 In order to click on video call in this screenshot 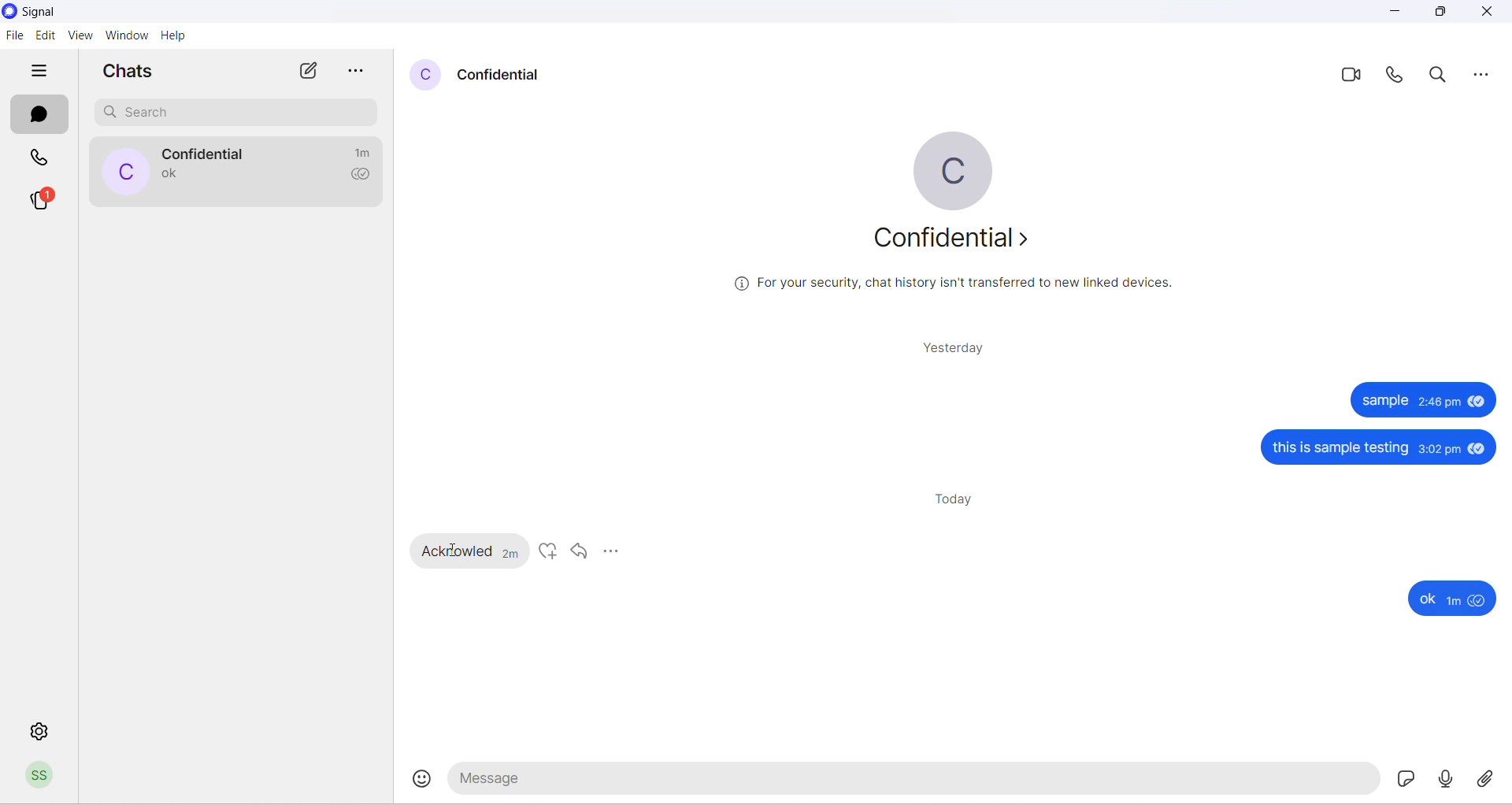, I will do `click(1352, 76)`.